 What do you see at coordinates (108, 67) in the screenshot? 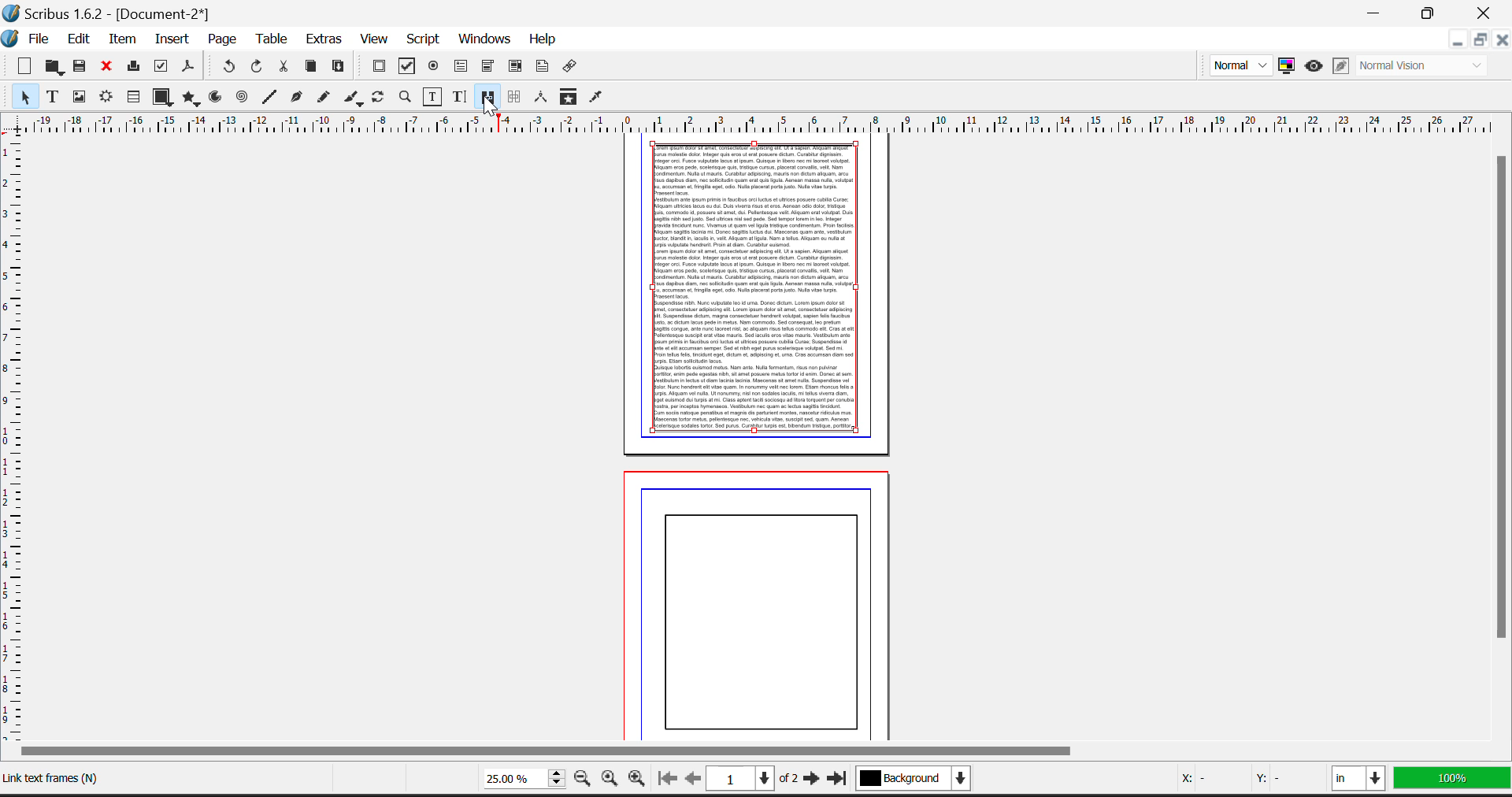
I see `Discard` at bounding box center [108, 67].